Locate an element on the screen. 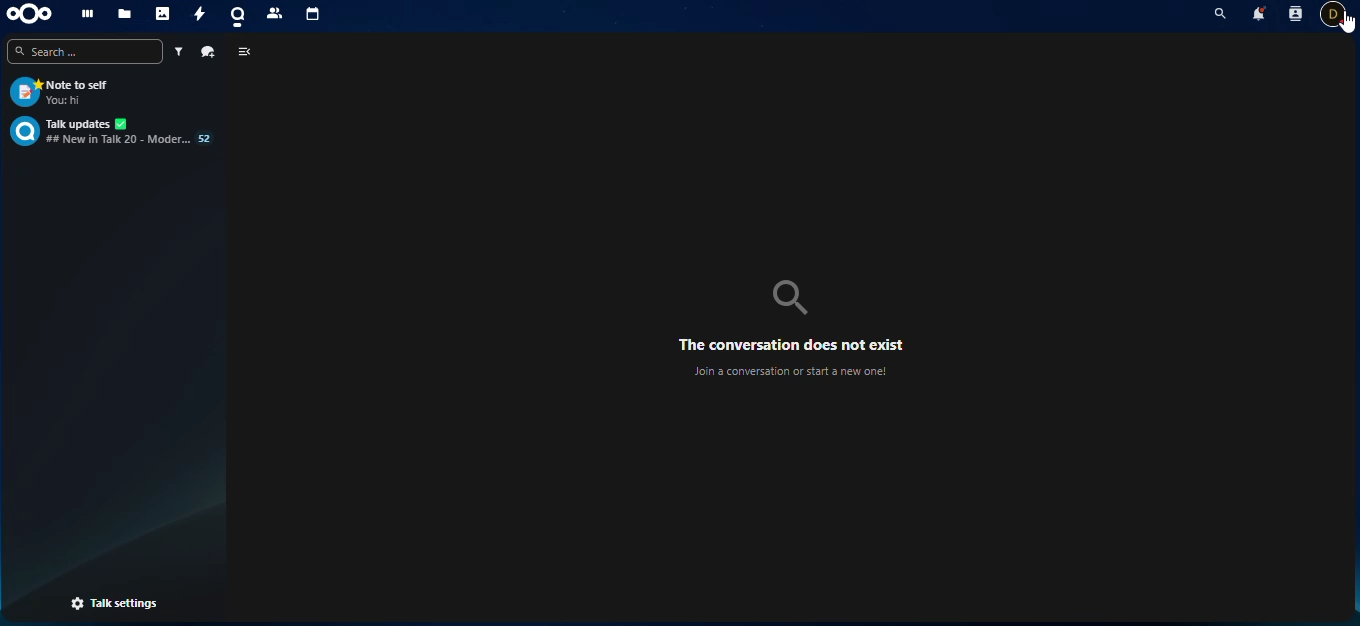 This screenshot has height=626, width=1360. Note to self You: hi is located at coordinates (113, 92).